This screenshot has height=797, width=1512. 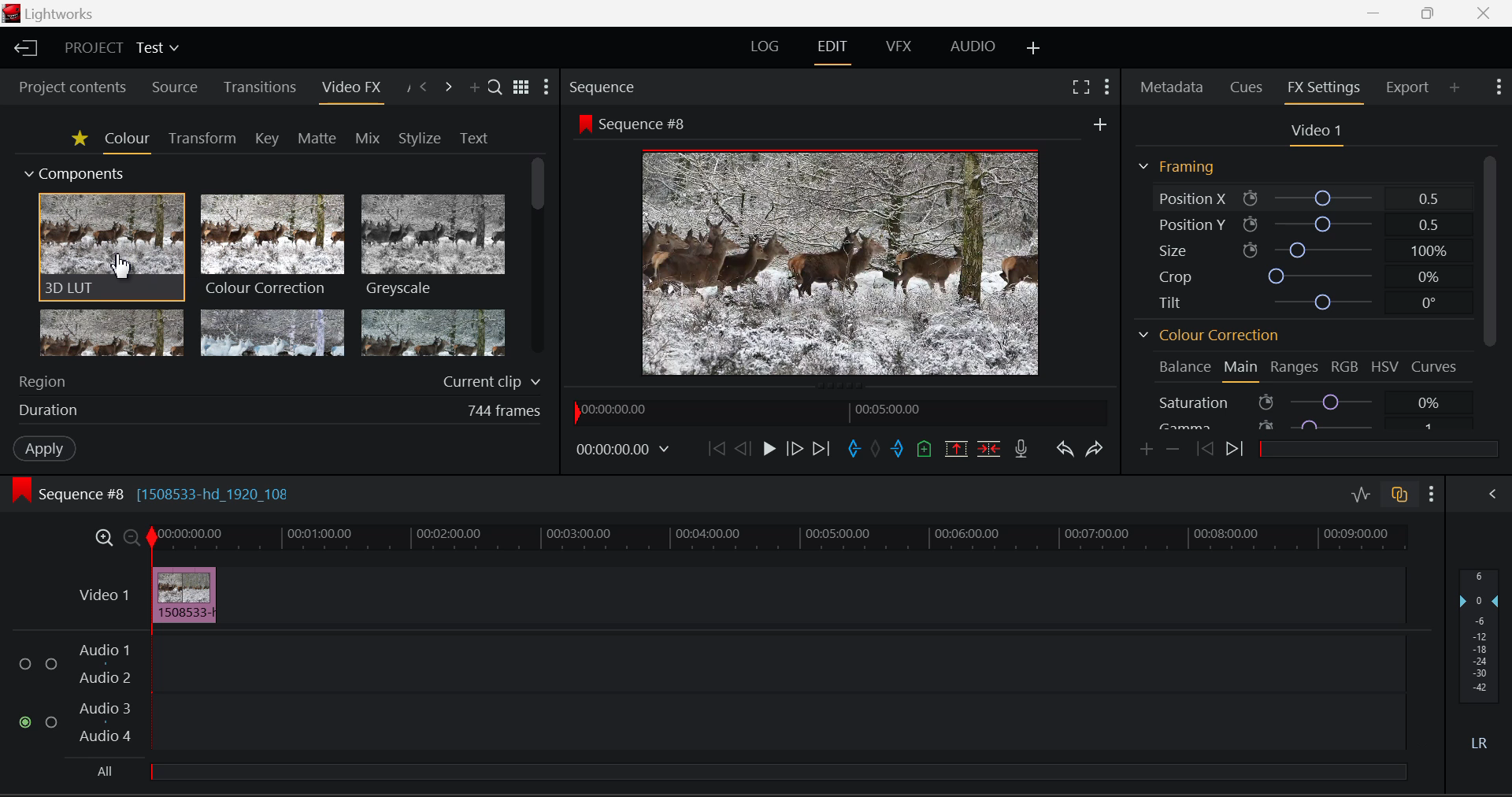 What do you see at coordinates (353, 91) in the screenshot?
I see `Video FX Panel Open` at bounding box center [353, 91].